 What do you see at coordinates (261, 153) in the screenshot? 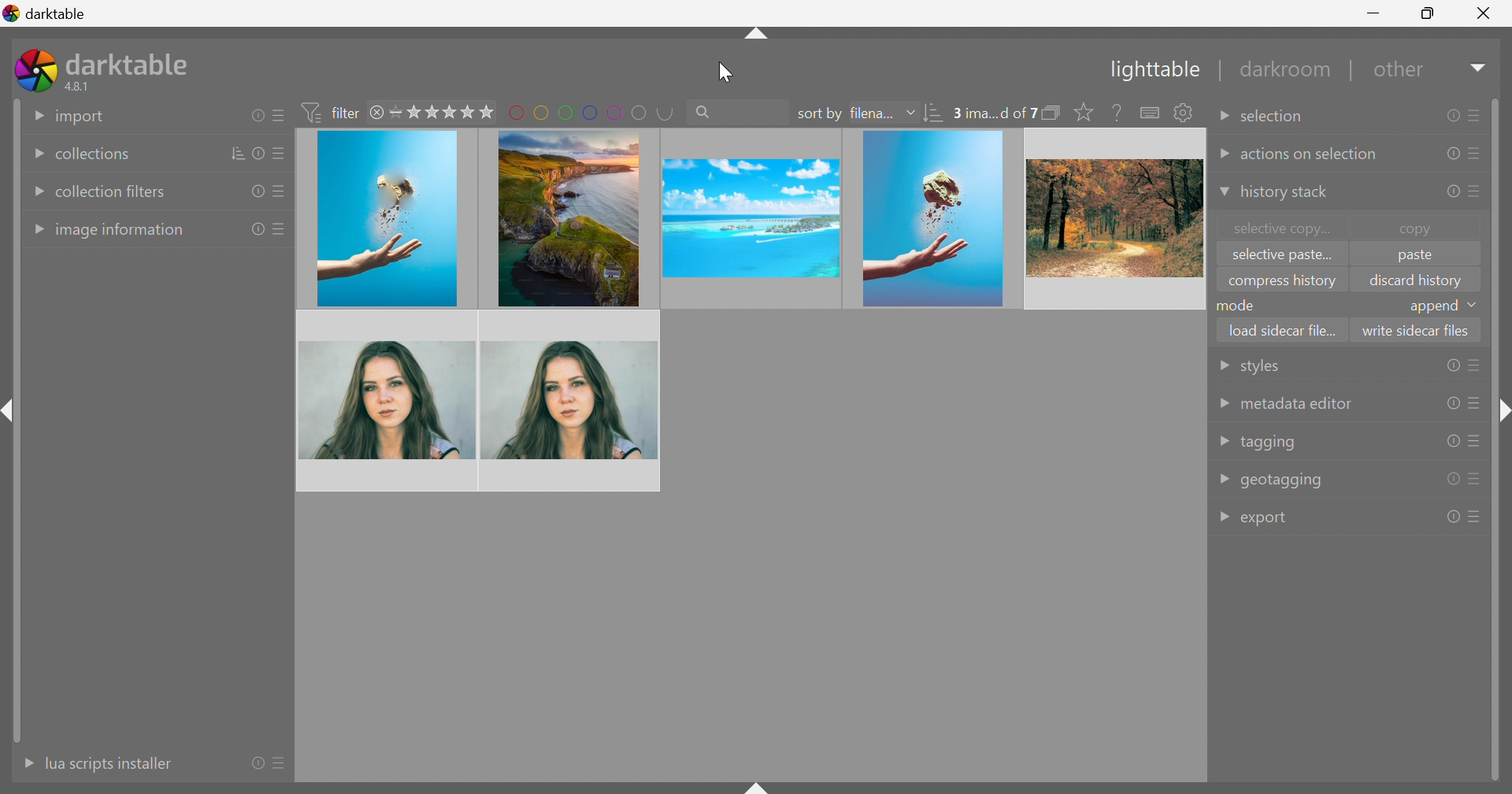
I see `reset` at bounding box center [261, 153].